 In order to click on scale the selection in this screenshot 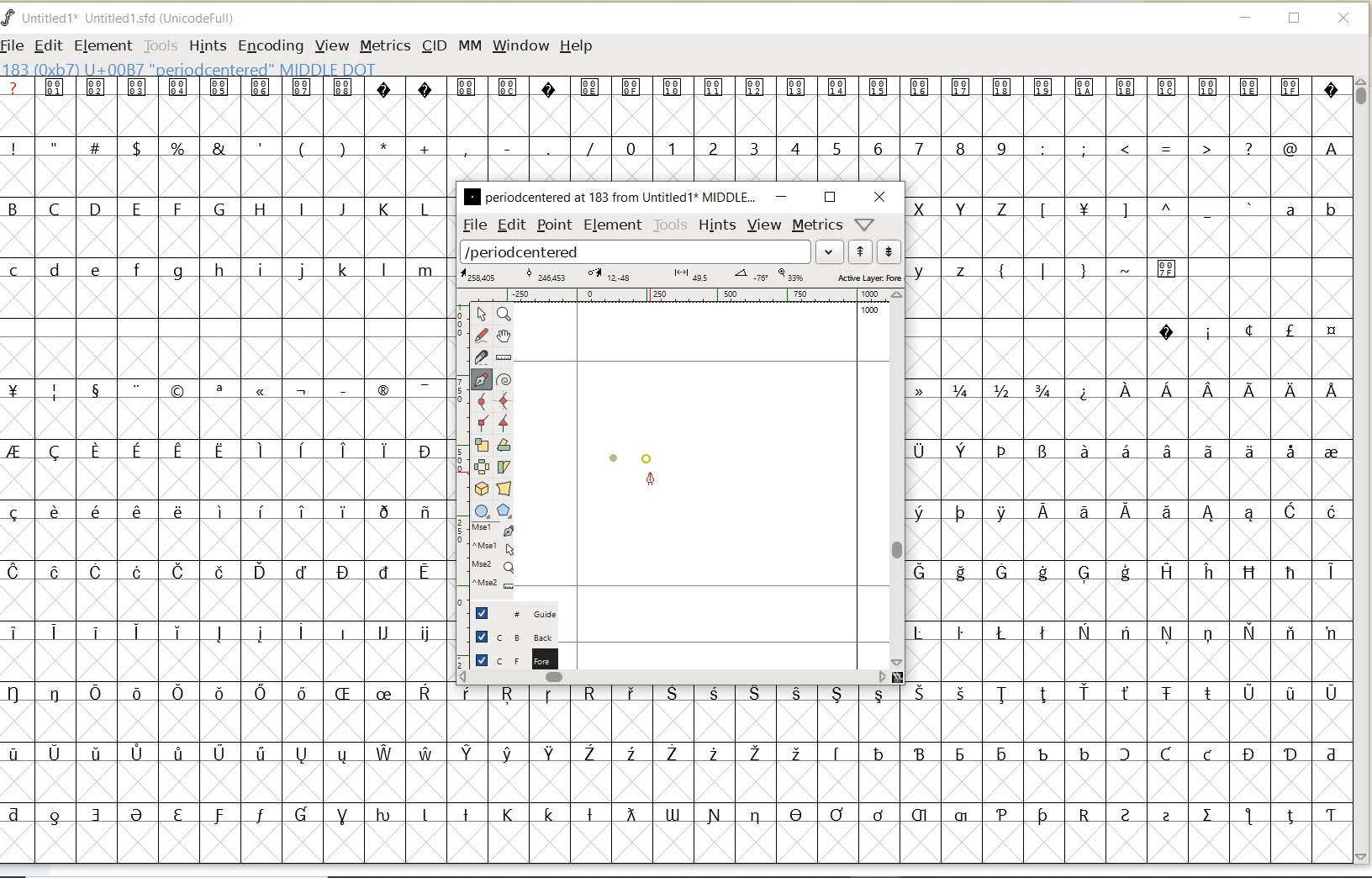, I will do `click(480, 446)`.